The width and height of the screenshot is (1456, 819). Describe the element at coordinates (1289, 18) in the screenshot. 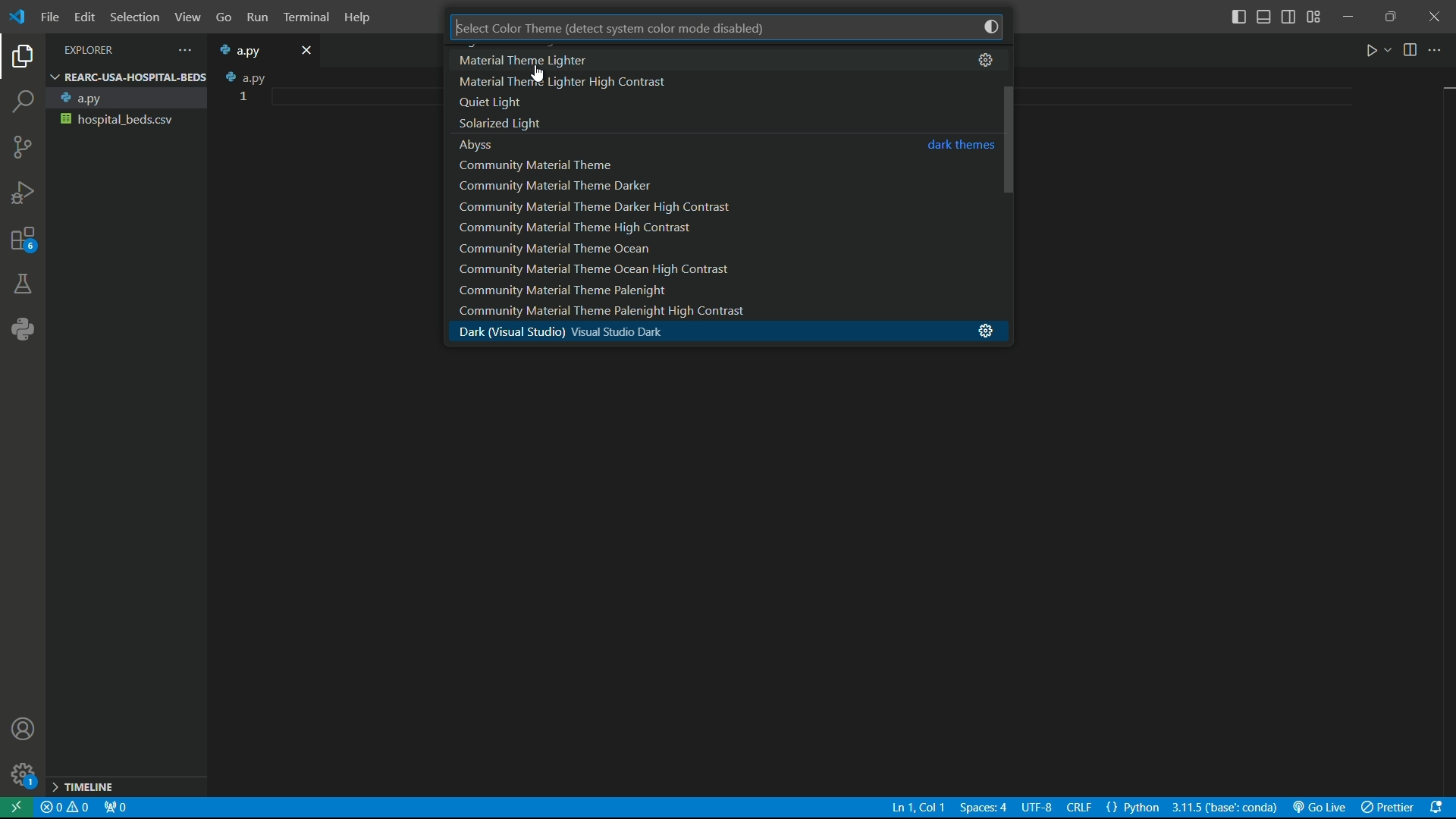

I see `toggle secondary sidebar` at that location.